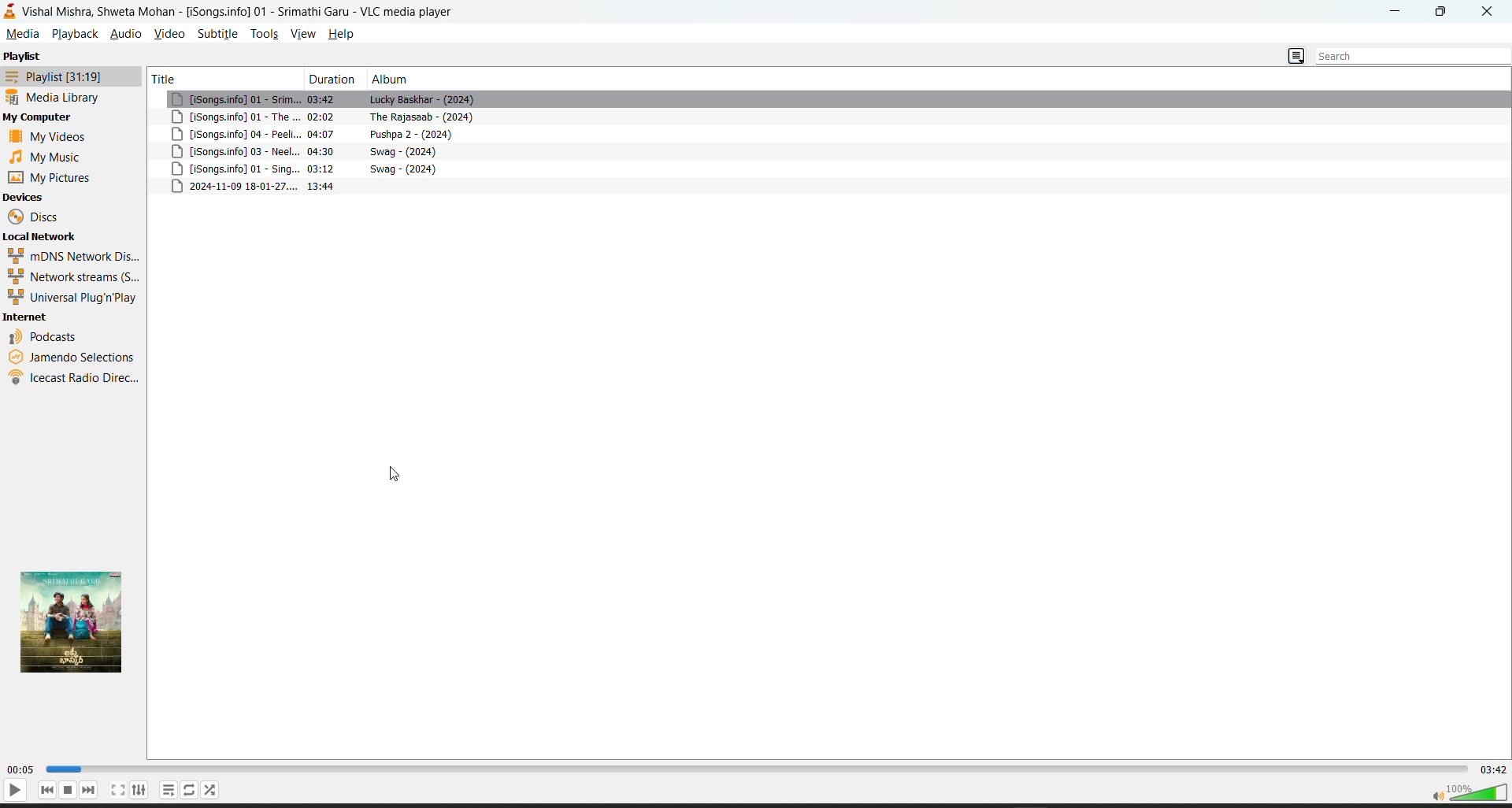 This screenshot has height=808, width=1512. What do you see at coordinates (1440, 12) in the screenshot?
I see `Maximize` at bounding box center [1440, 12].